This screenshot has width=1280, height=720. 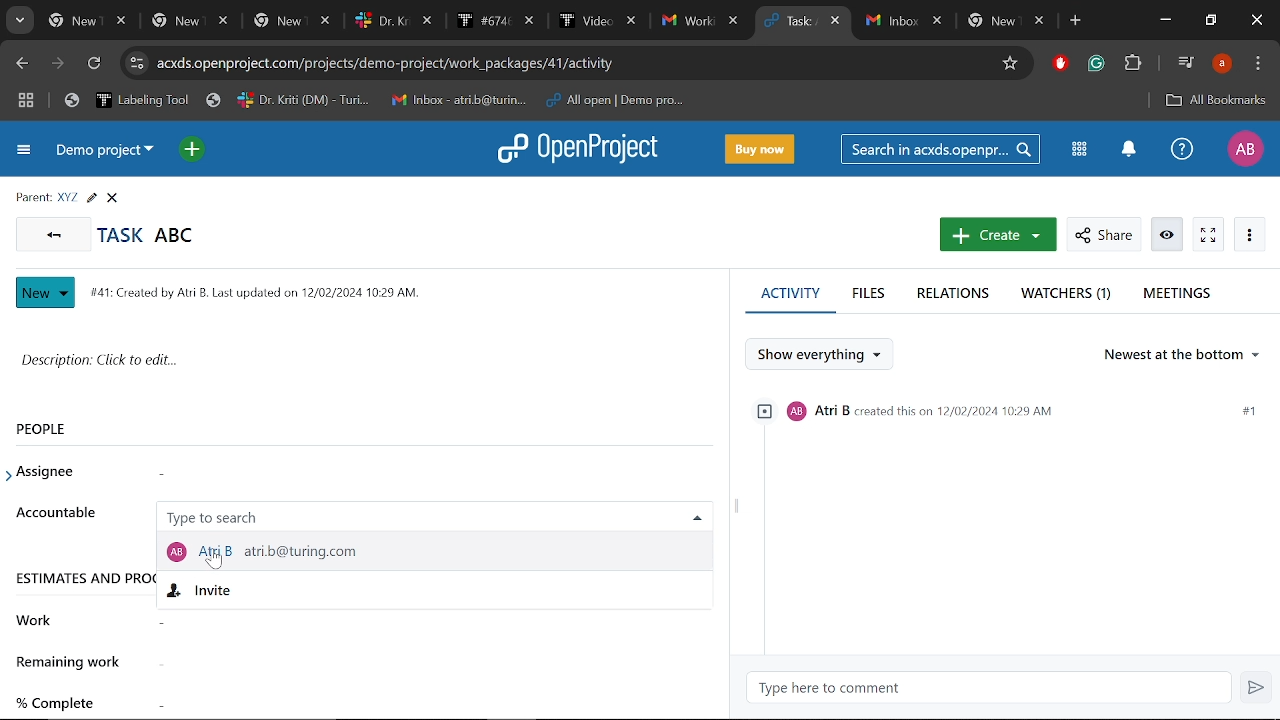 I want to click on Grammerly, so click(x=1097, y=63).